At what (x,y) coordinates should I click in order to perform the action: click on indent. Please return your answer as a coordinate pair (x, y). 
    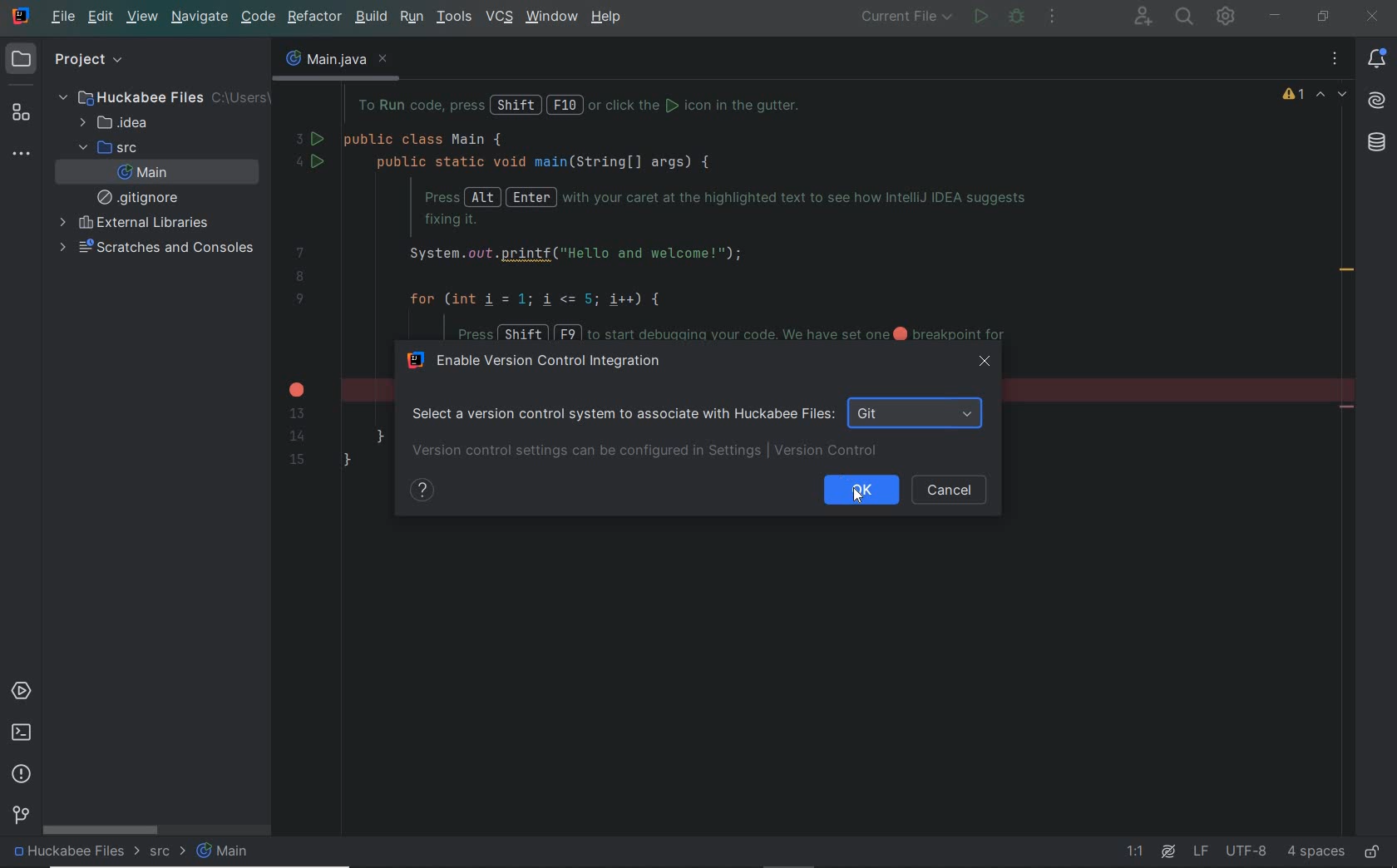
    Looking at the image, I should click on (1314, 851).